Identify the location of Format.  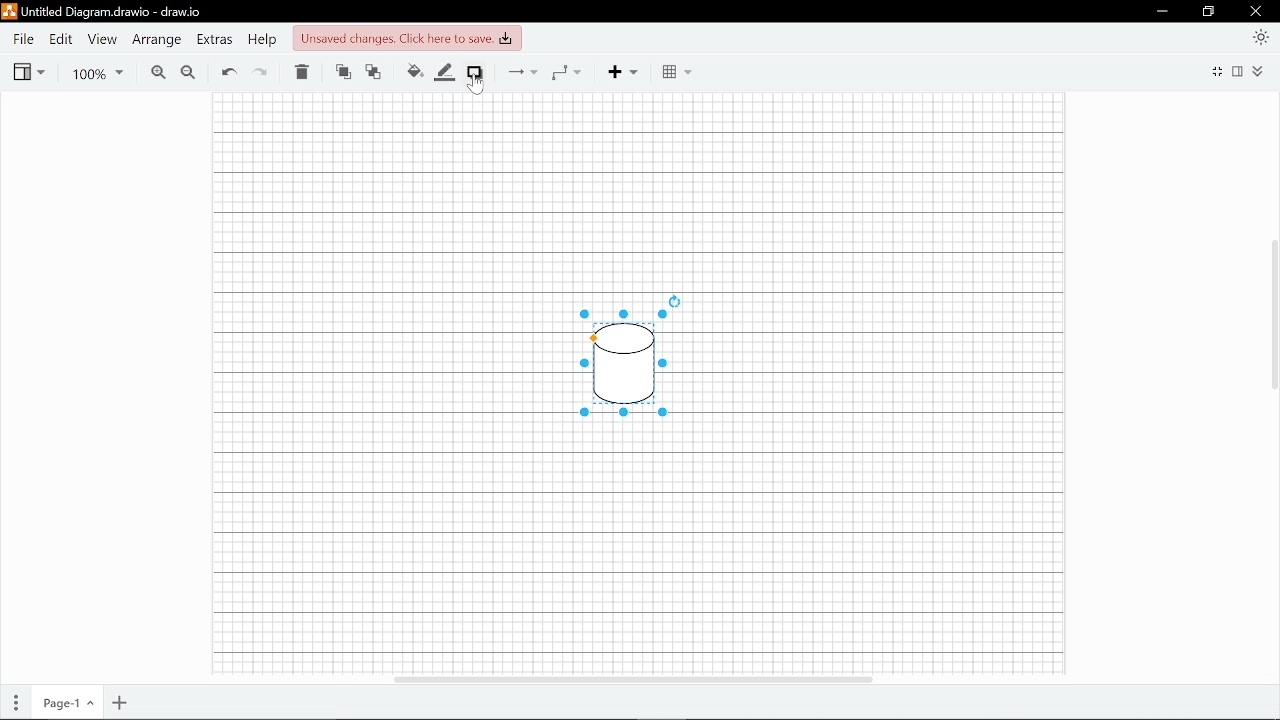
(1238, 71).